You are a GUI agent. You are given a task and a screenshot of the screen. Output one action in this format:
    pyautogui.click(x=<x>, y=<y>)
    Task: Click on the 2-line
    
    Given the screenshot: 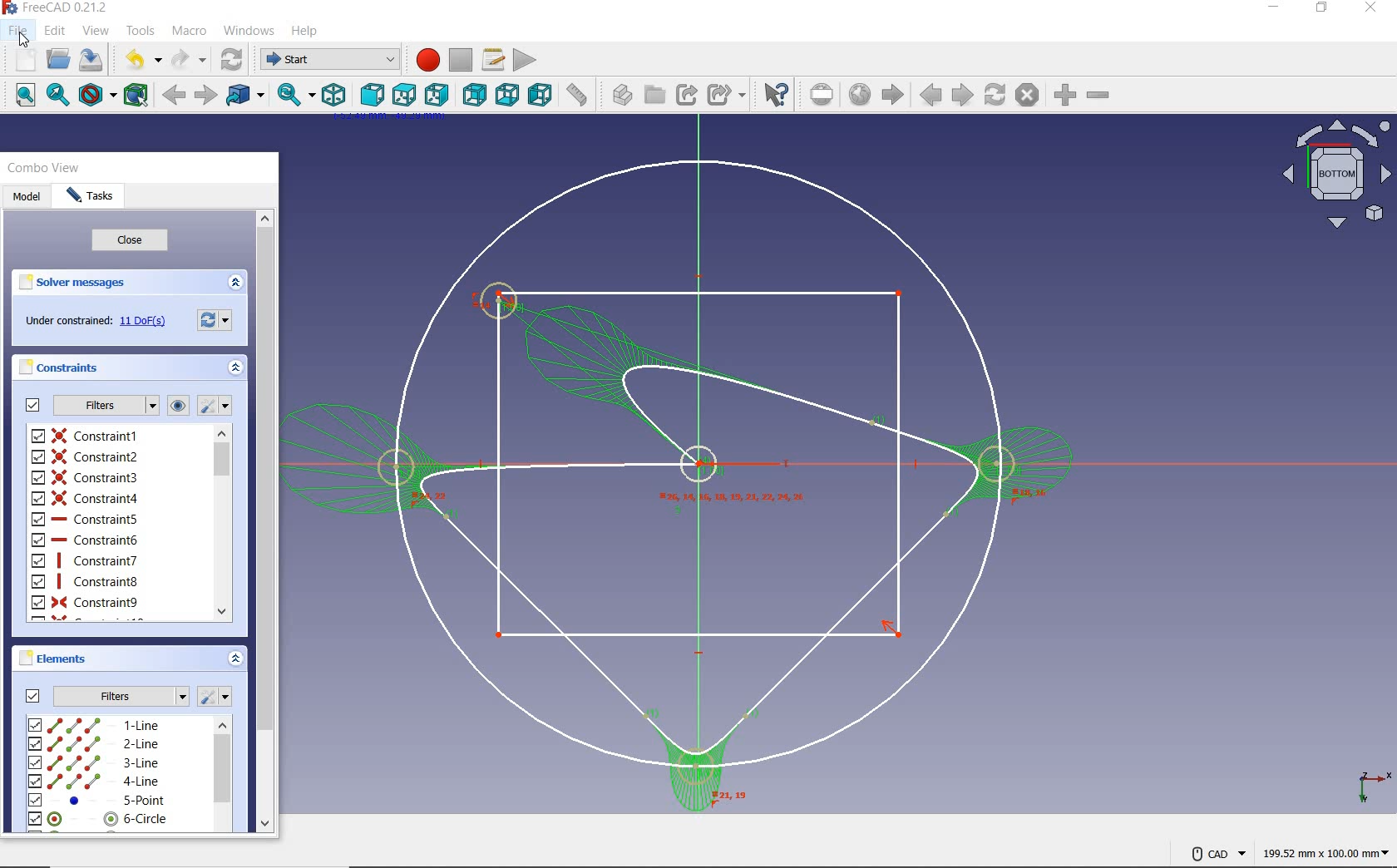 What is the action you would take?
    pyautogui.click(x=94, y=744)
    